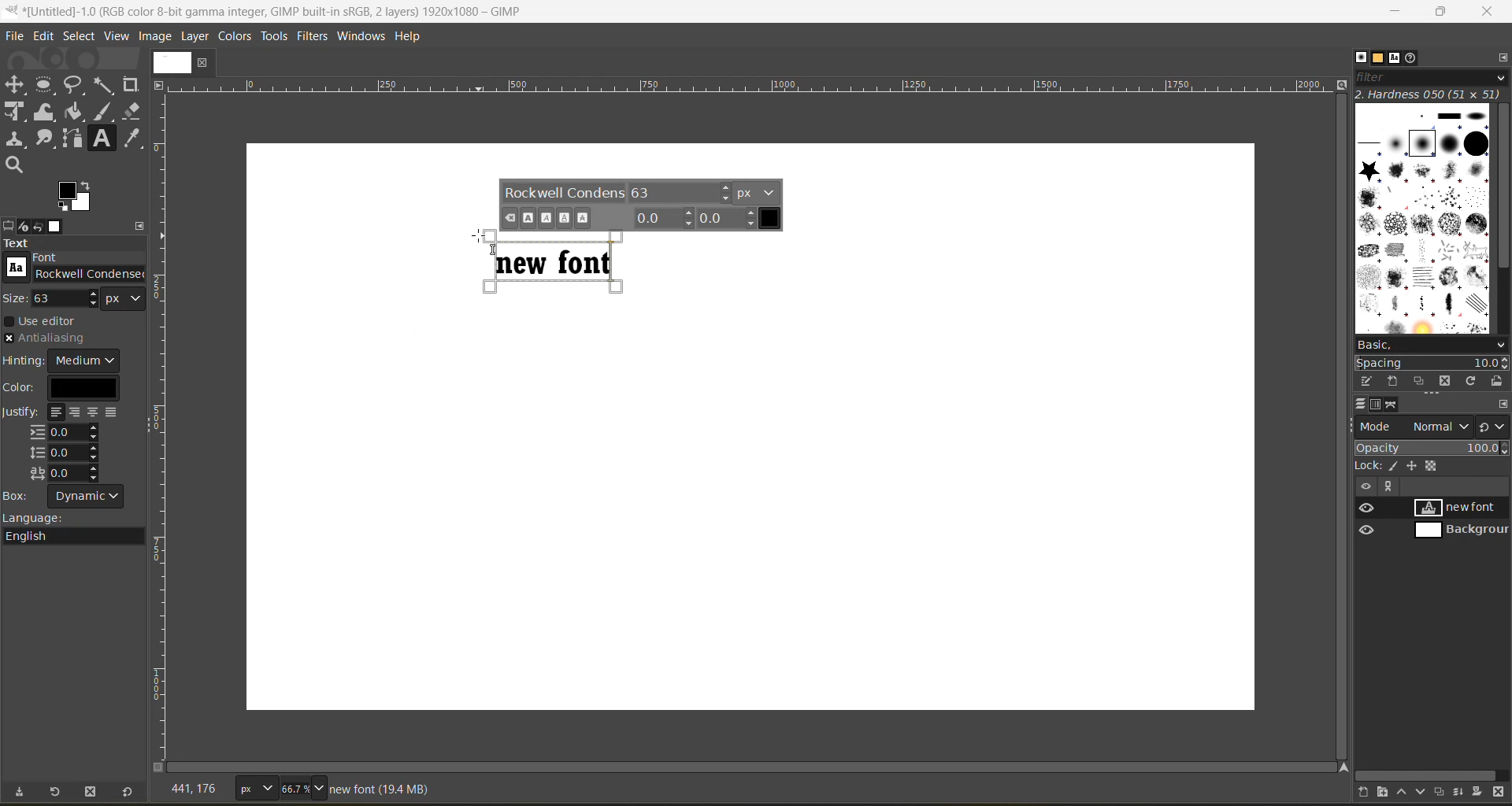  Describe the element at coordinates (1361, 57) in the screenshot. I see `brushes` at that location.